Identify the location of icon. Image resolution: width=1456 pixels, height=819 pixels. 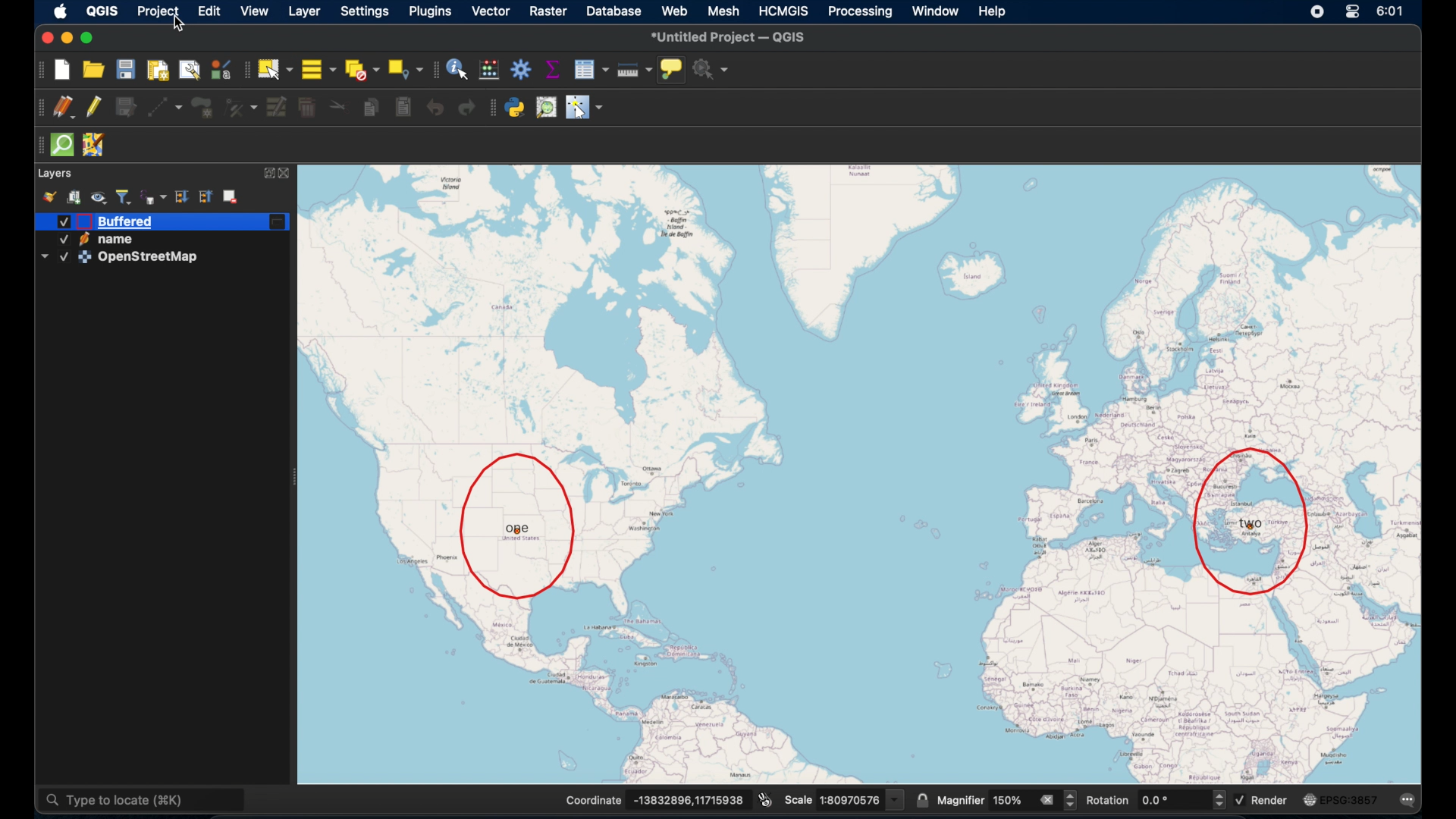
(85, 257).